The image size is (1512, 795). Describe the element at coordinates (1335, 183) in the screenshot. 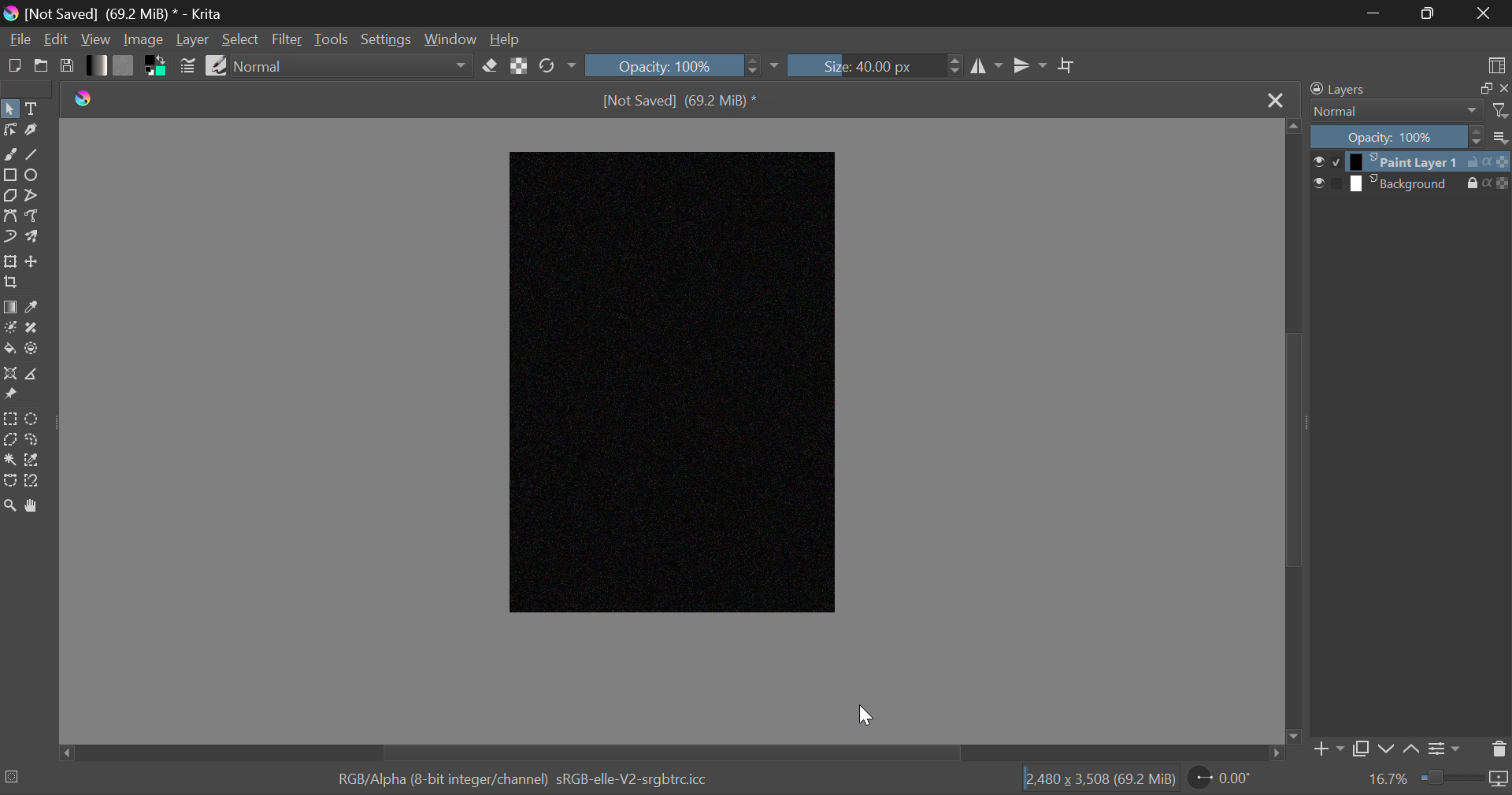

I see `checkbox` at that location.